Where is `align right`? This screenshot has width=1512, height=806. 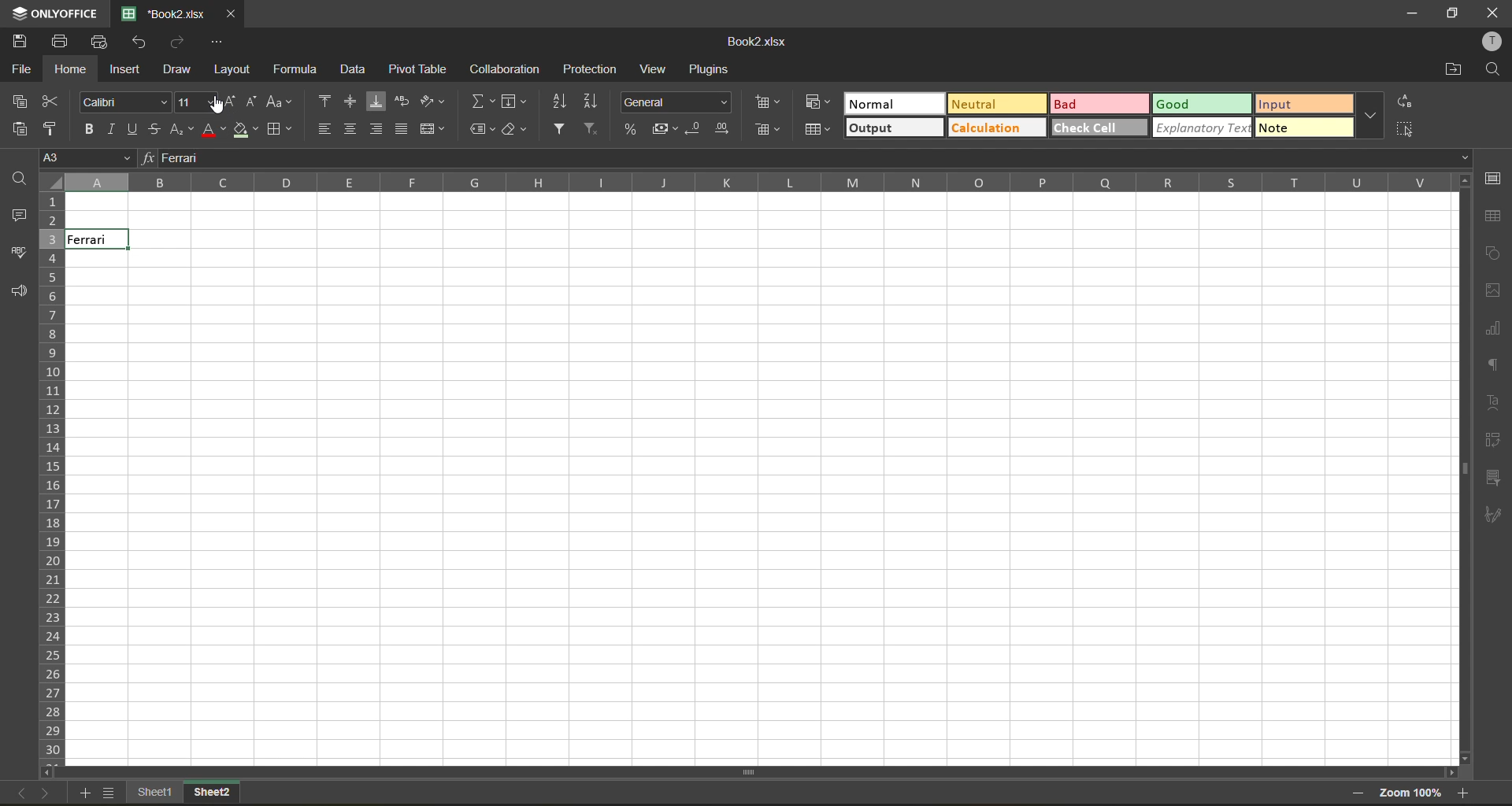 align right is located at coordinates (380, 130).